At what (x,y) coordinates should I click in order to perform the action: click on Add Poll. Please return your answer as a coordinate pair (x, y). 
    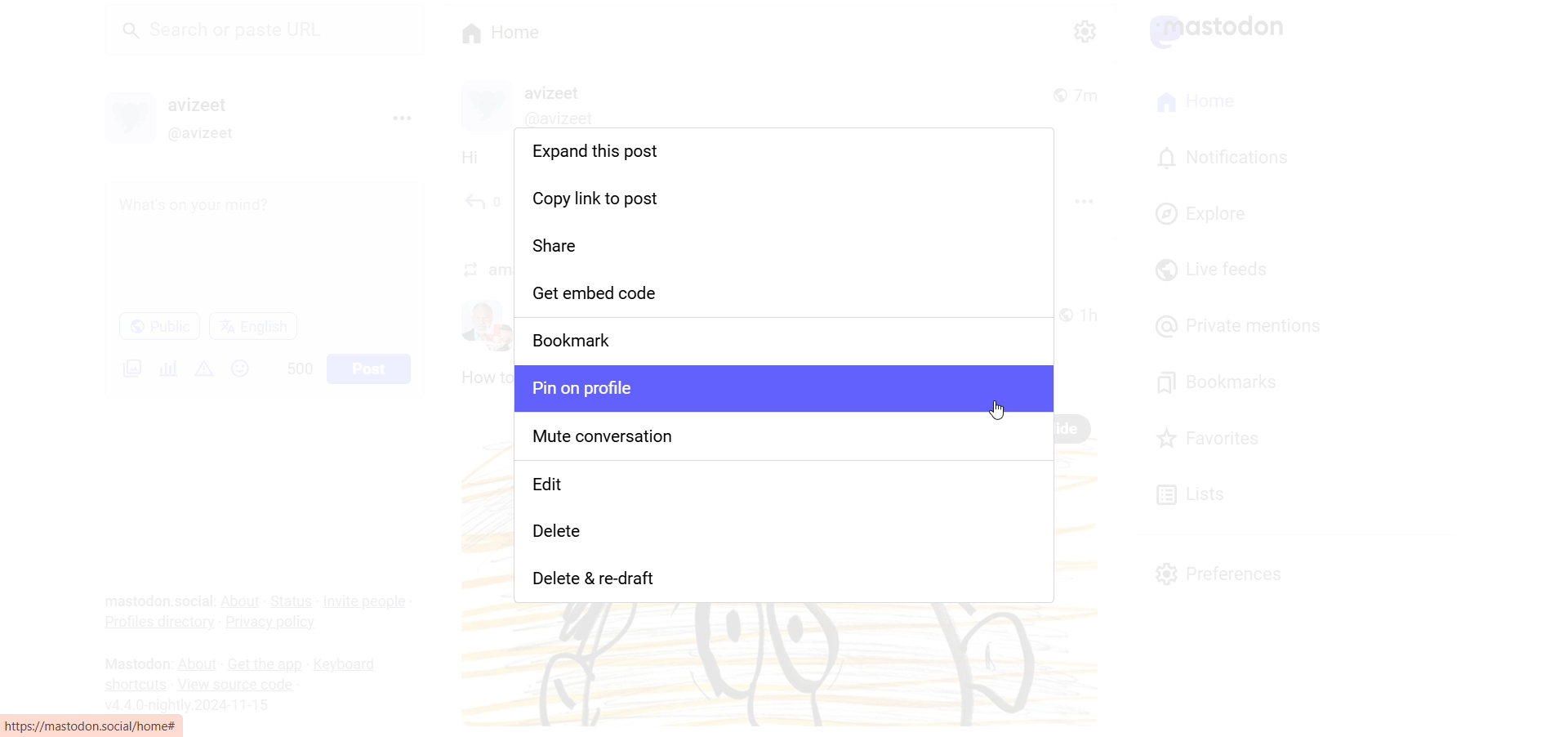
    Looking at the image, I should click on (165, 366).